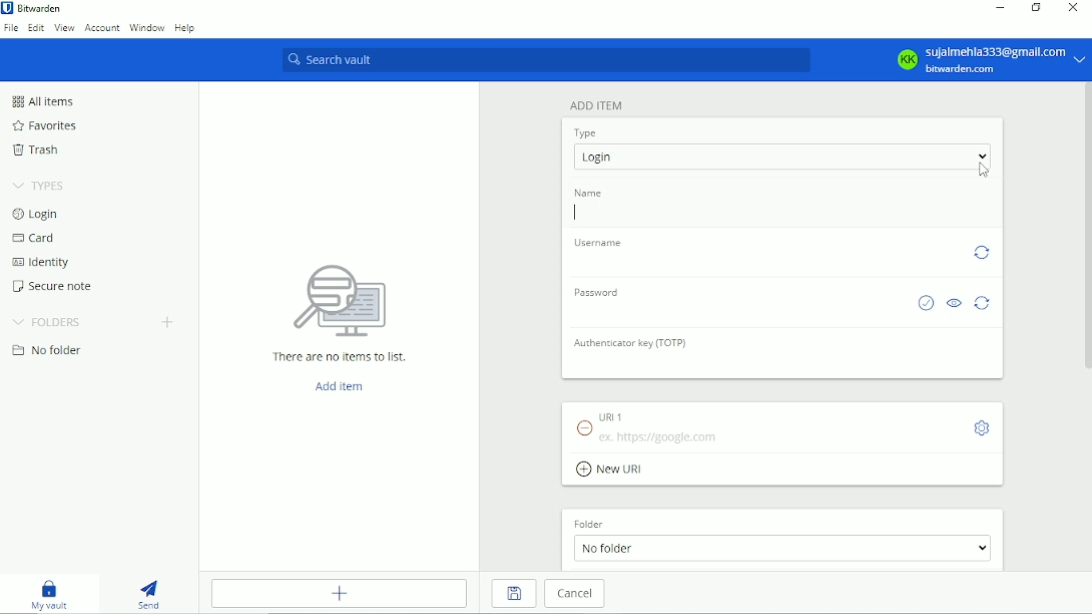 This screenshot has width=1092, height=614. What do you see at coordinates (47, 351) in the screenshot?
I see `No folder` at bounding box center [47, 351].